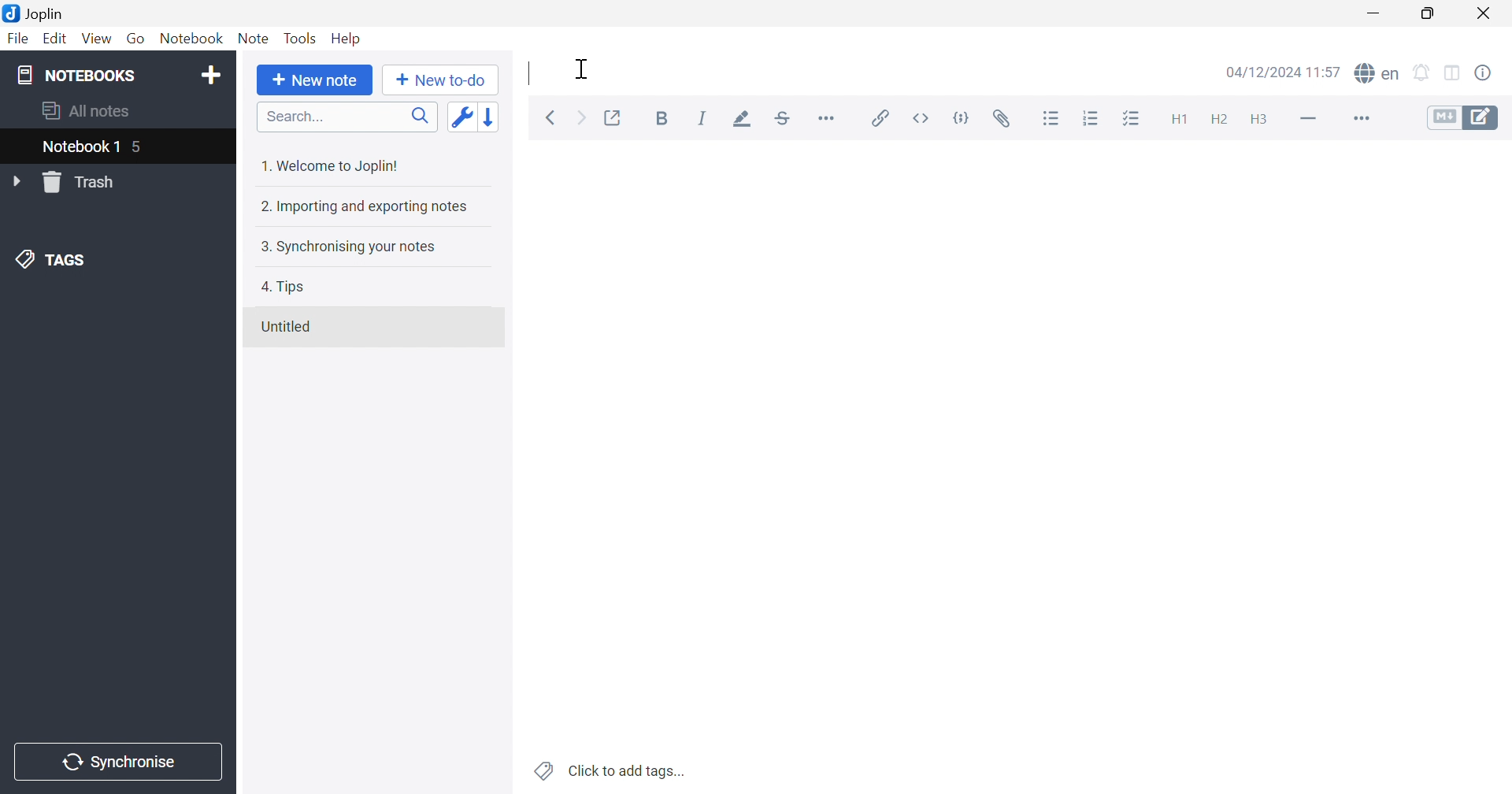  I want to click on Reverse sort order, so click(490, 117).